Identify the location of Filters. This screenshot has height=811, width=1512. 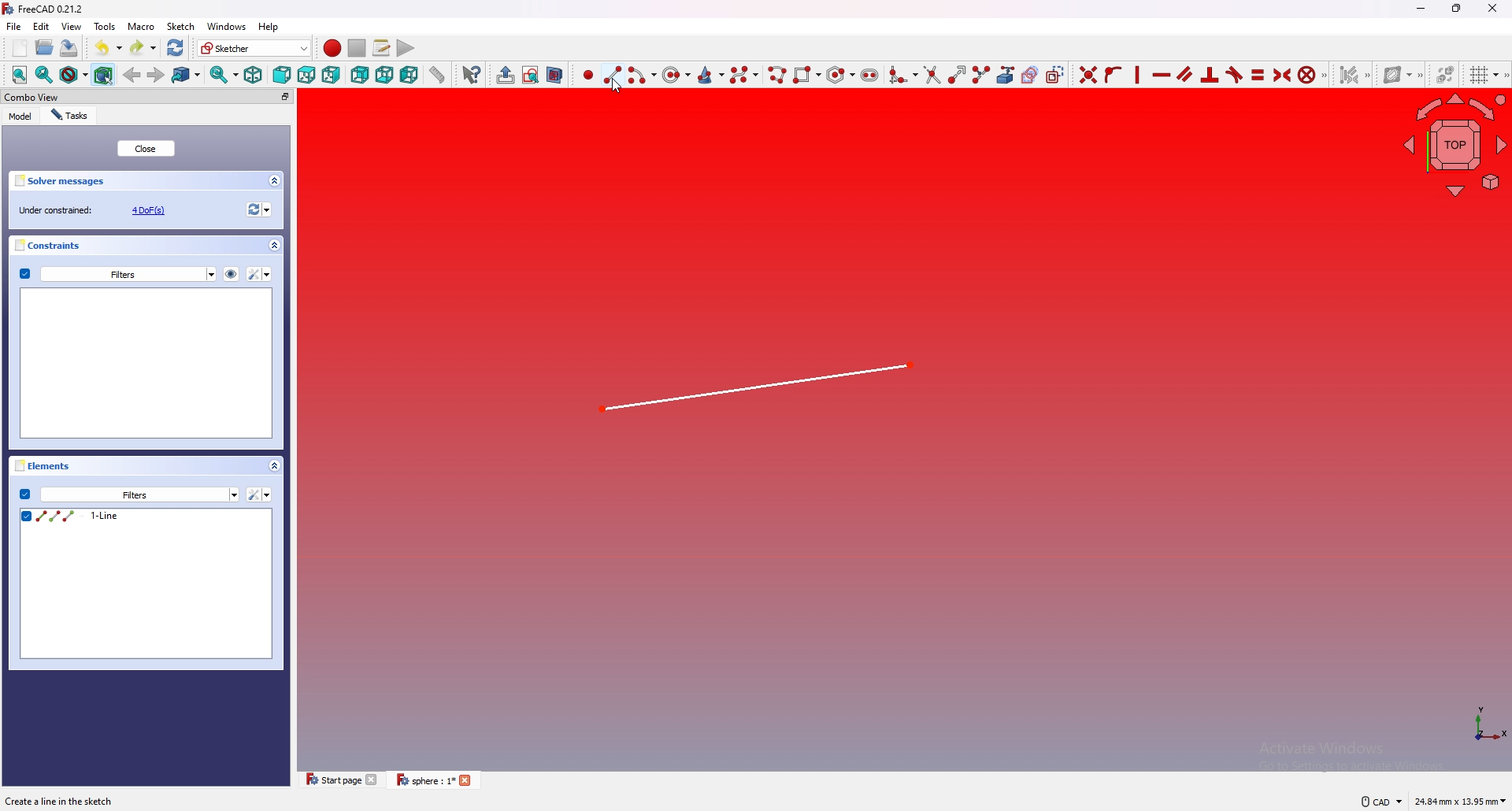
(128, 273).